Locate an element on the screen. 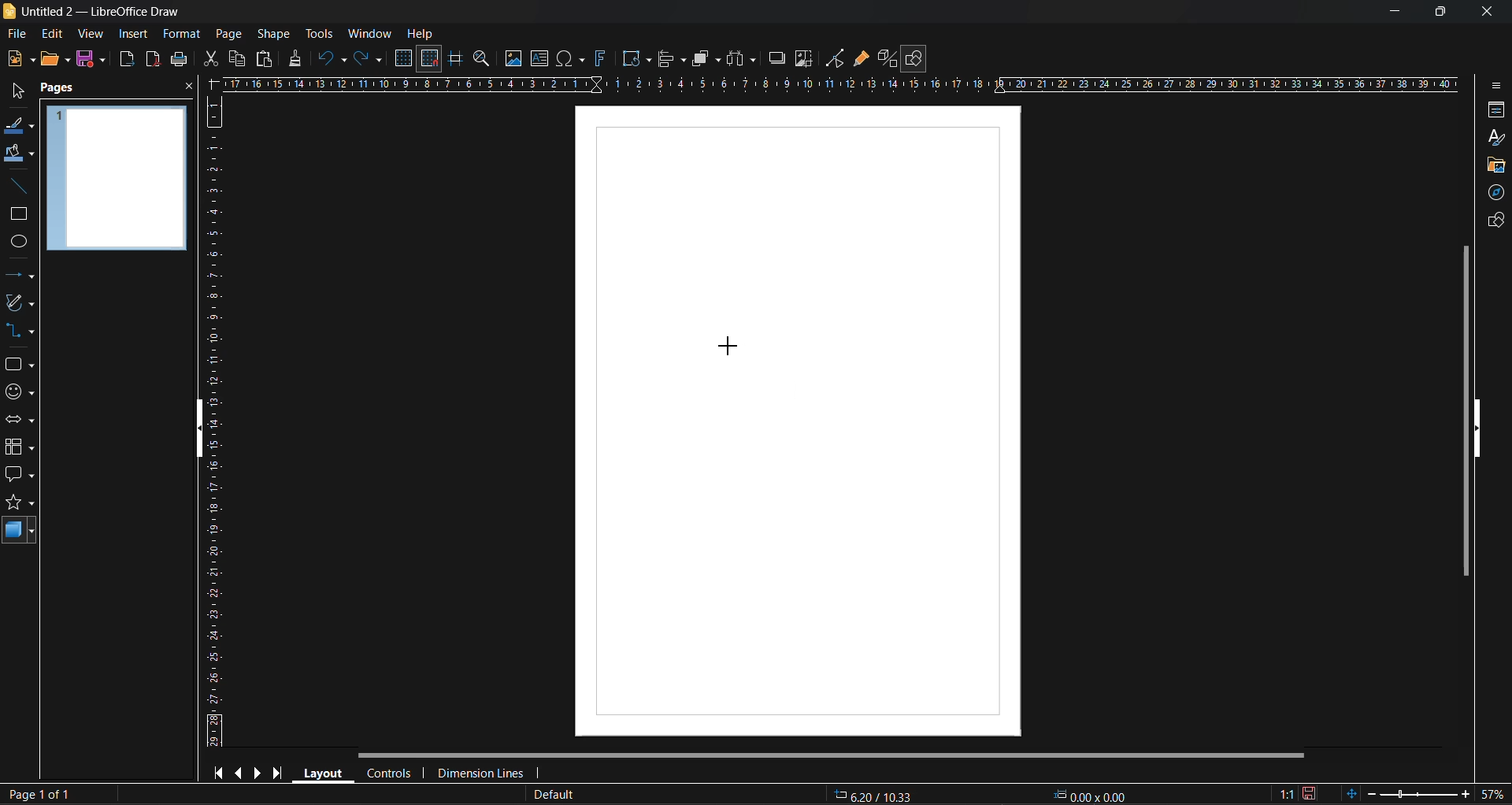 The width and height of the screenshot is (1512, 805). export is located at coordinates (130, 61).